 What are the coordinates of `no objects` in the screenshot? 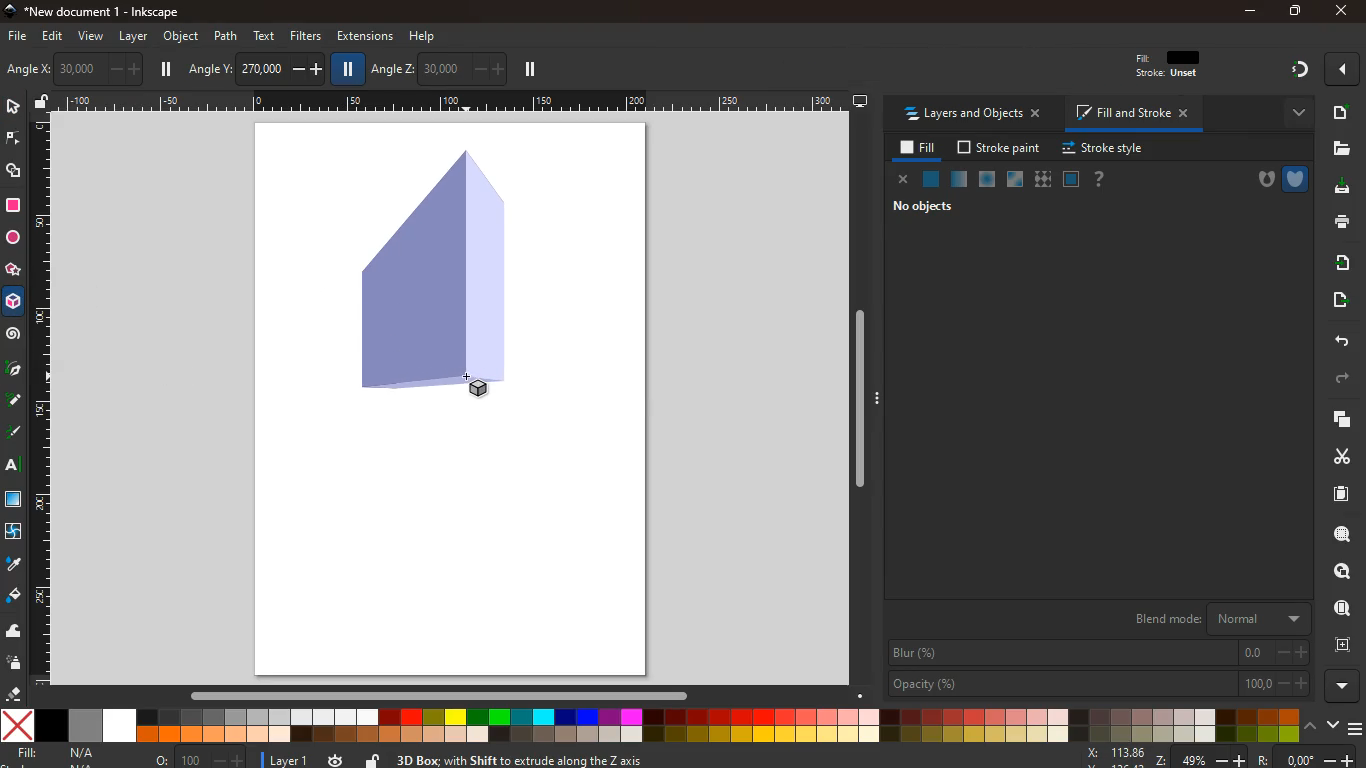 It's located at (925, 209).